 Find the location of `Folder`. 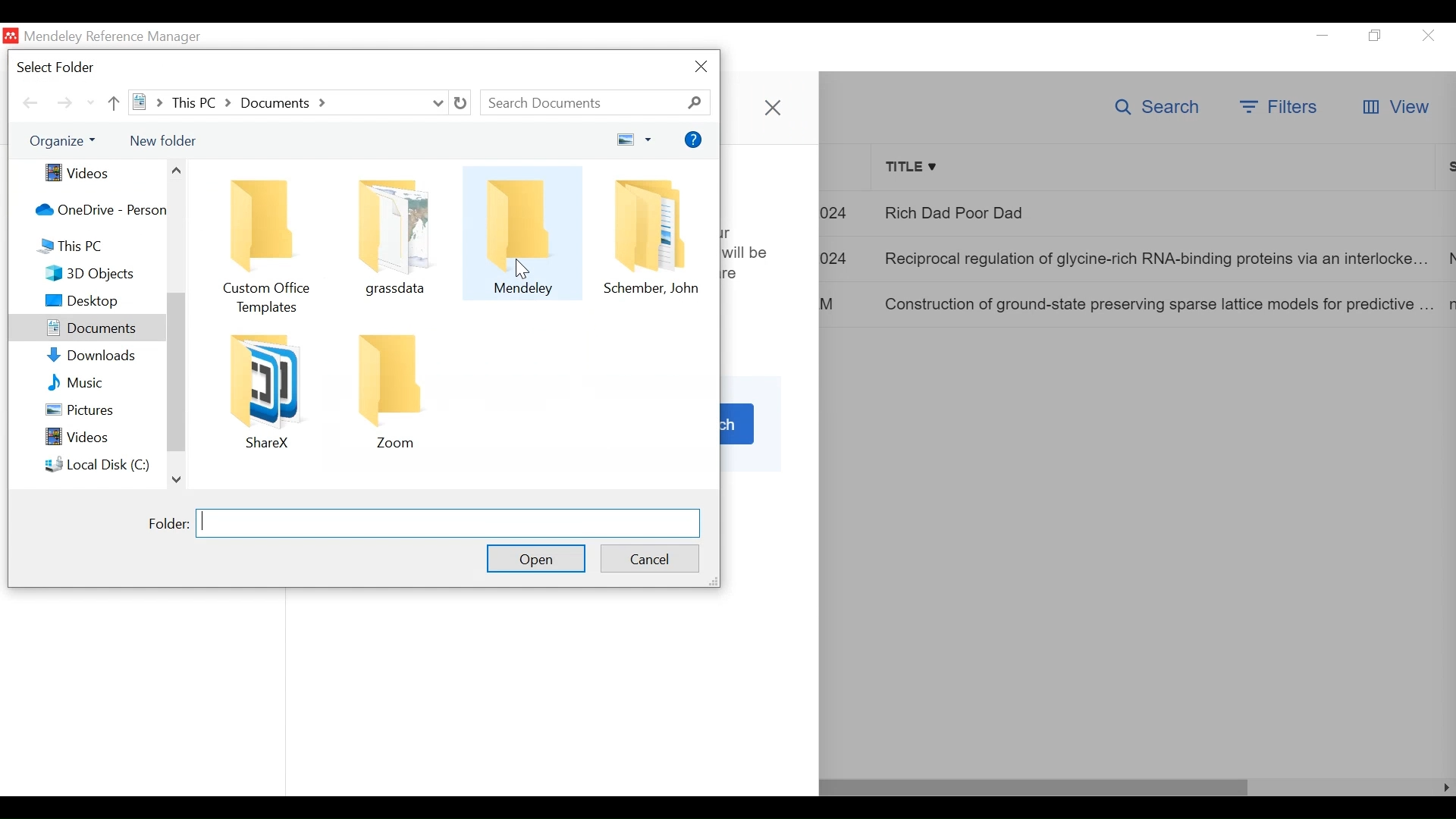

Folder is located at coordinates (265, 390).